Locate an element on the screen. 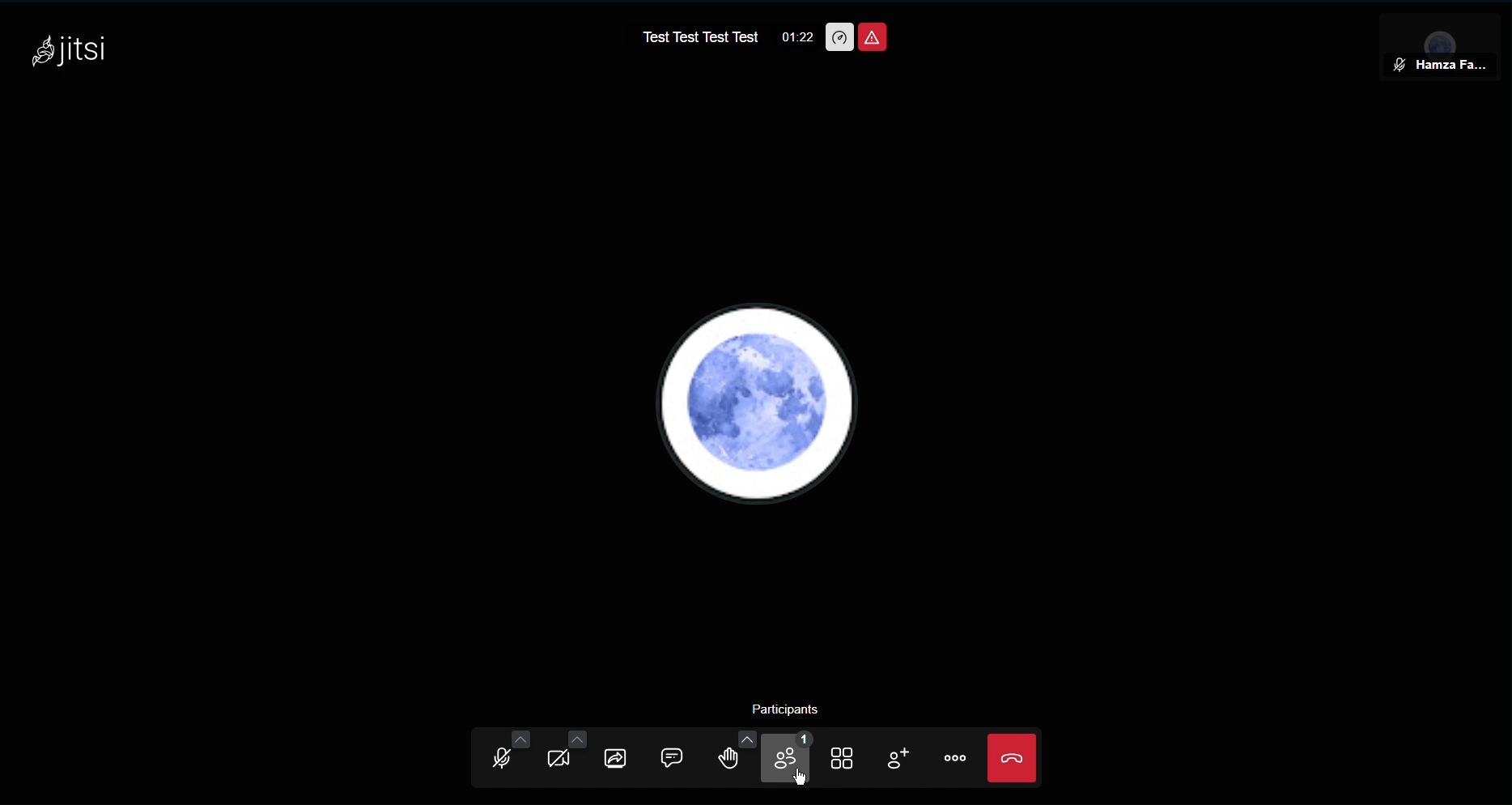 The image size is (1512, 805). Raise Hand is located at coordinates (740, 758).